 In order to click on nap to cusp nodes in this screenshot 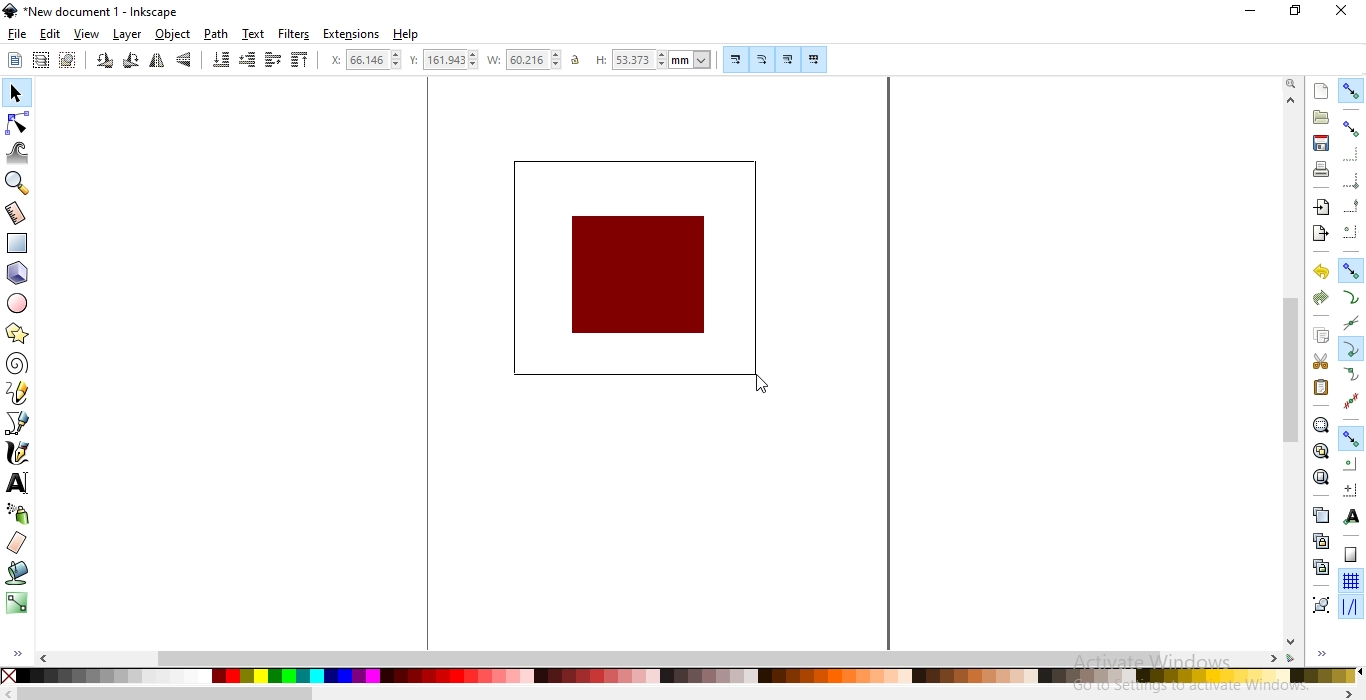, I will do `click(1349, 350)`.